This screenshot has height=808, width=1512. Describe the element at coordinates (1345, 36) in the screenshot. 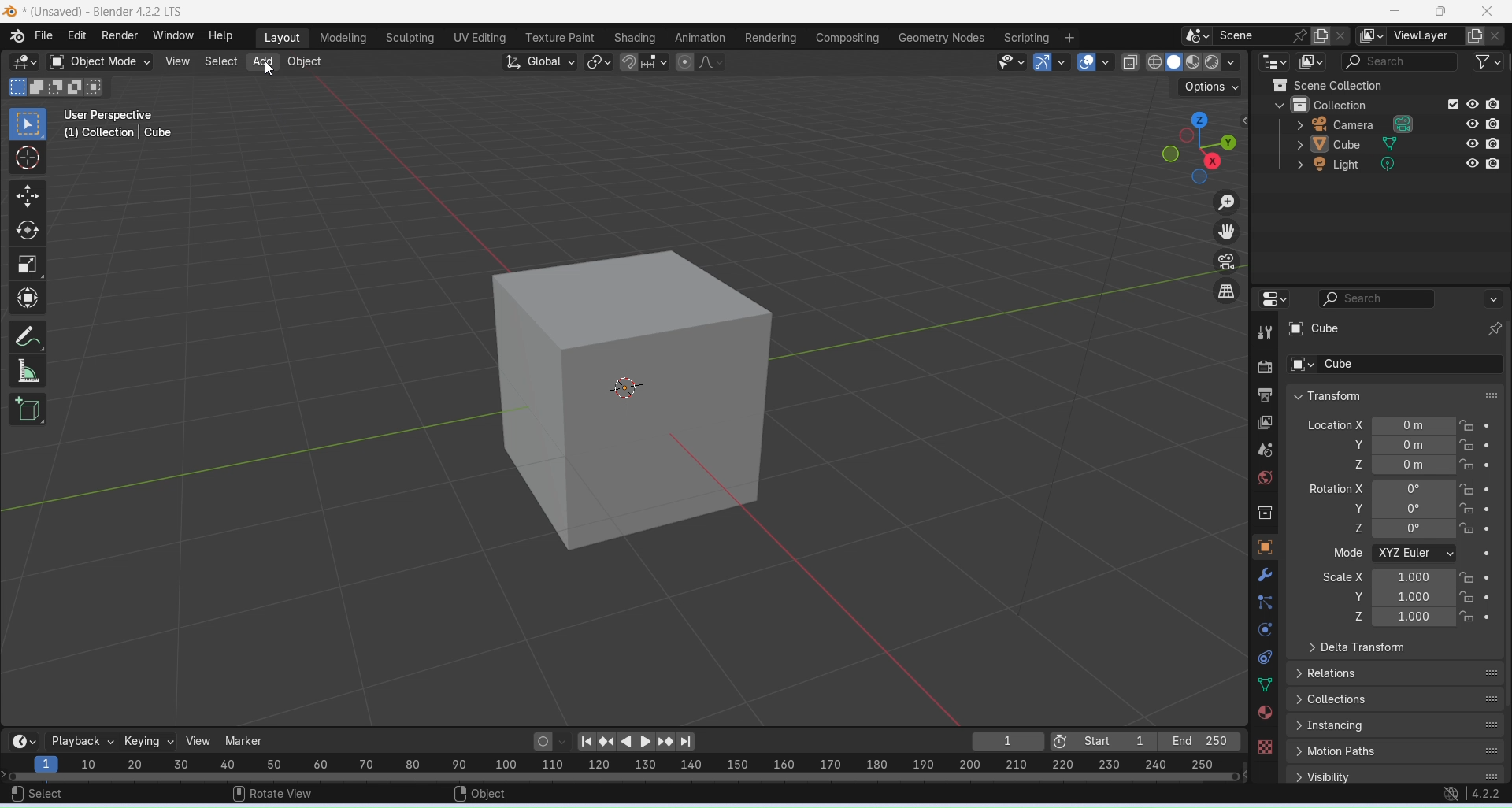

I see `New scene` at that location.